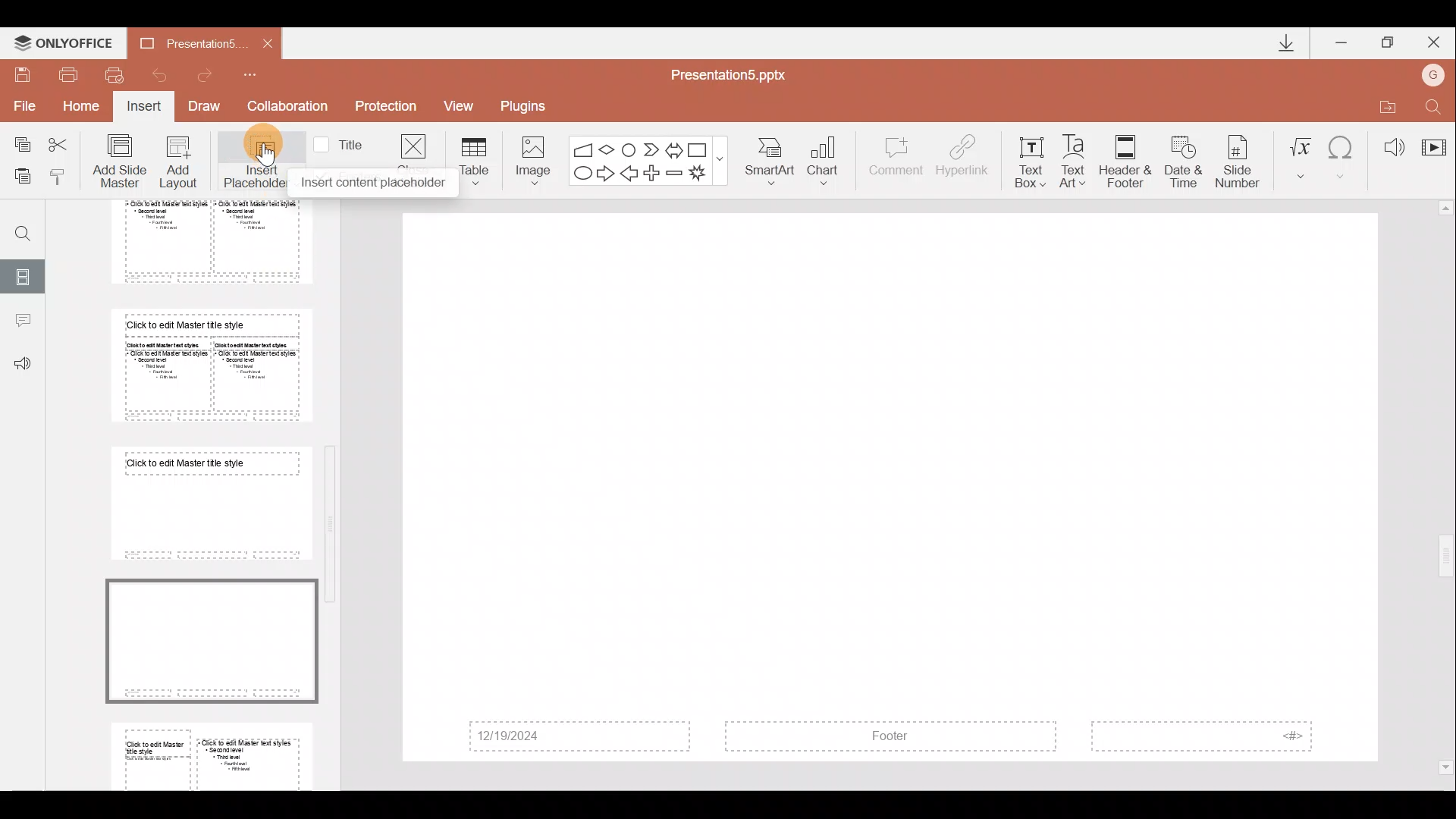  I want to click on Maximize, so click(1389, 40).